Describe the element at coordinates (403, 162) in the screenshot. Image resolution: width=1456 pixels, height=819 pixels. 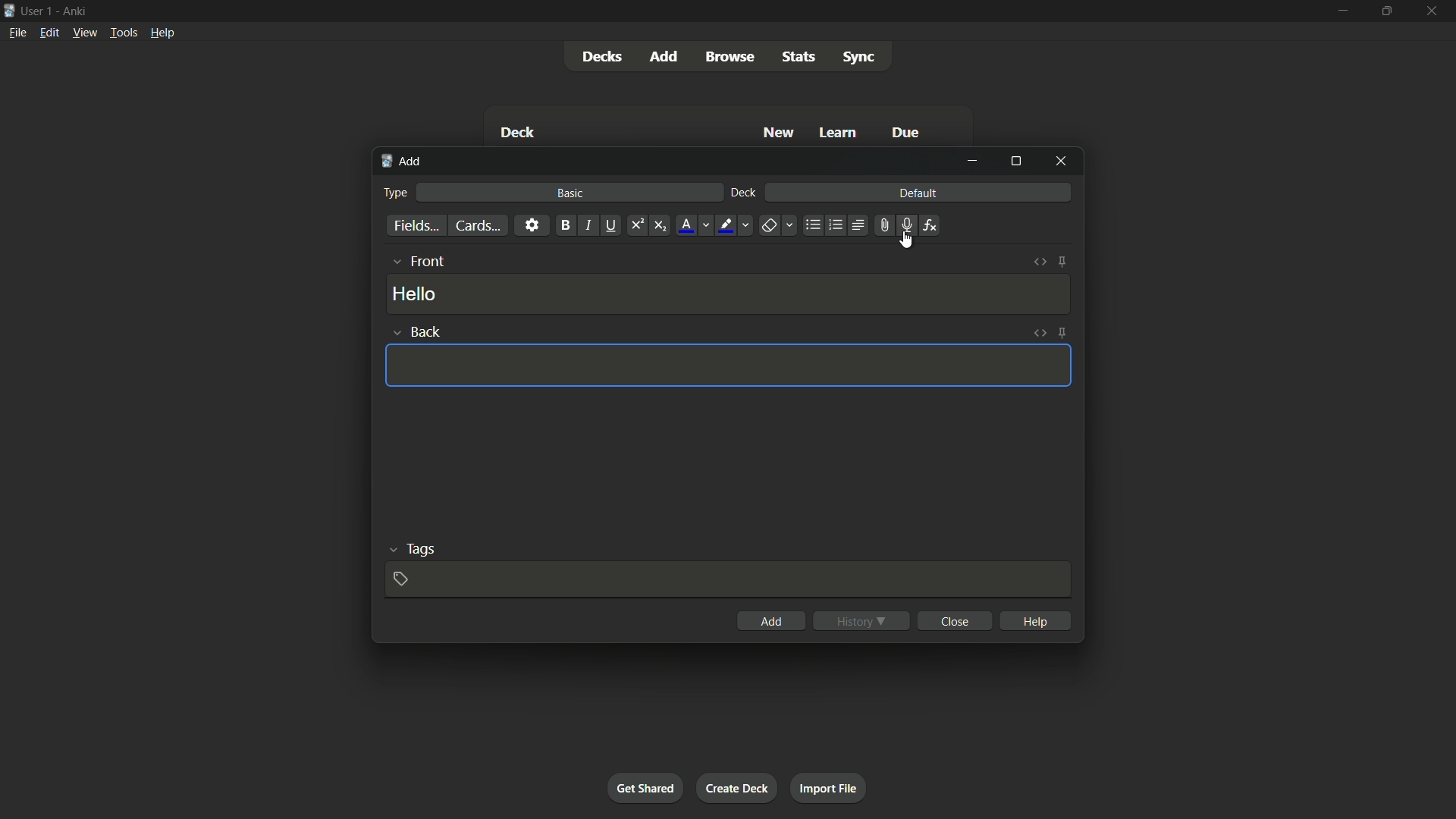
I see `add` at that location.